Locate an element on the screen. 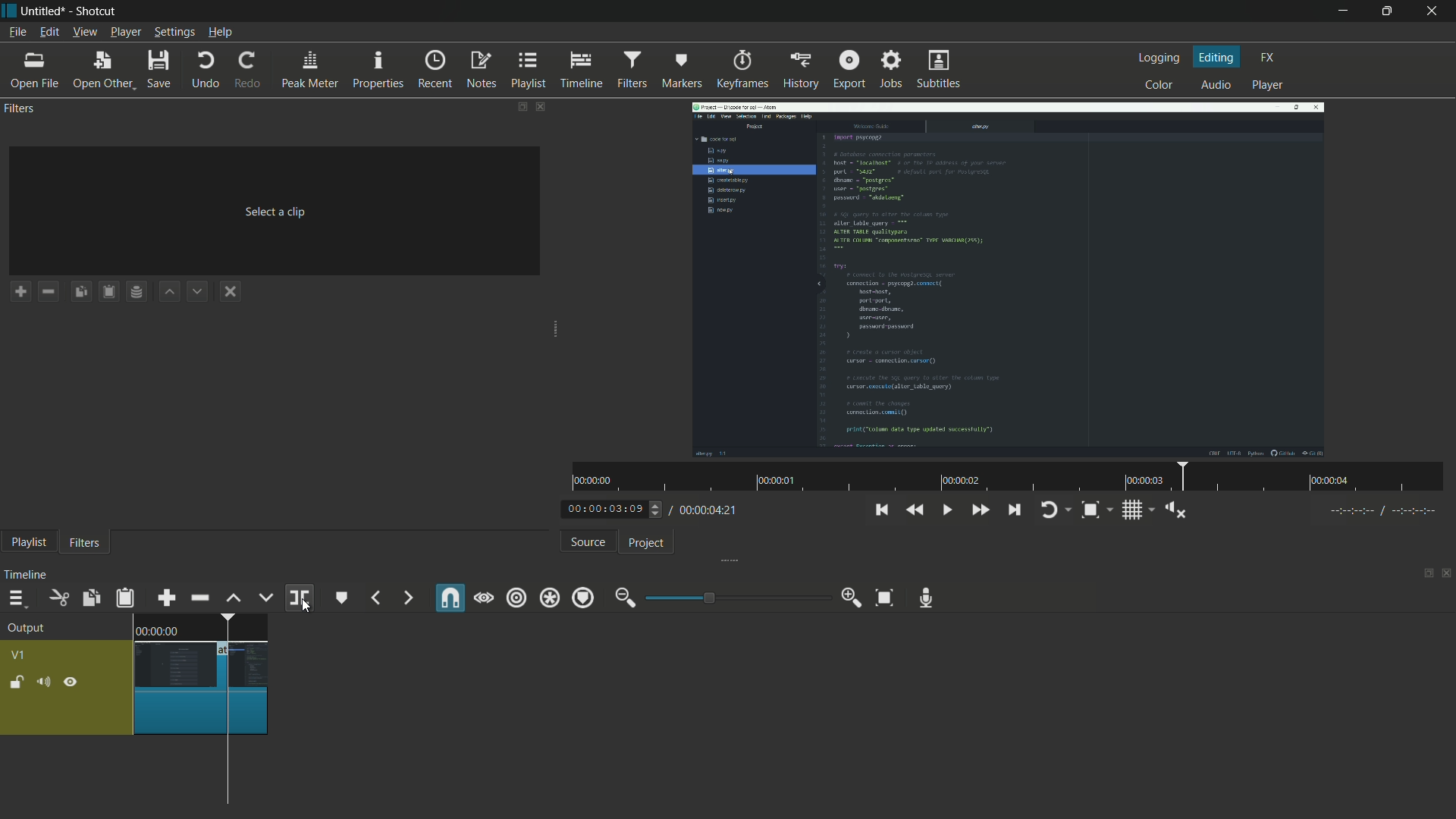 The image size is (1456, 819). snap is located at coordinates (450, 598).